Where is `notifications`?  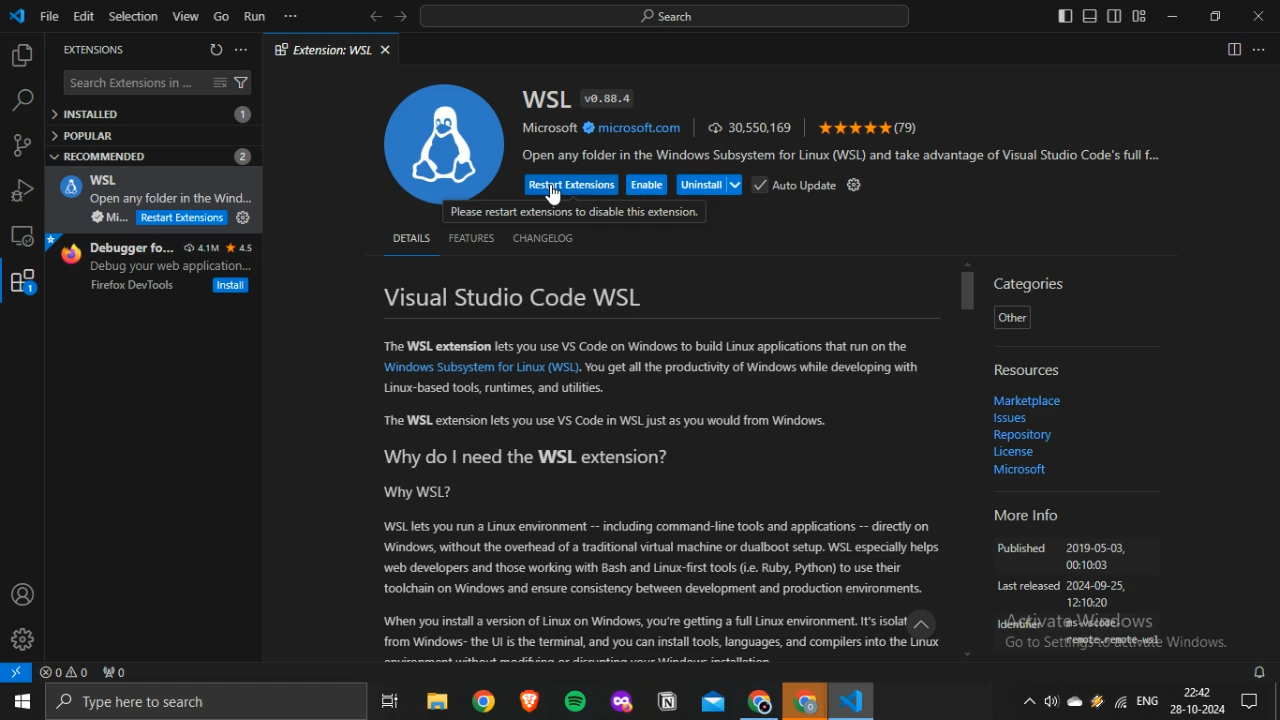 notifications is located at coordinates (1261, 672).